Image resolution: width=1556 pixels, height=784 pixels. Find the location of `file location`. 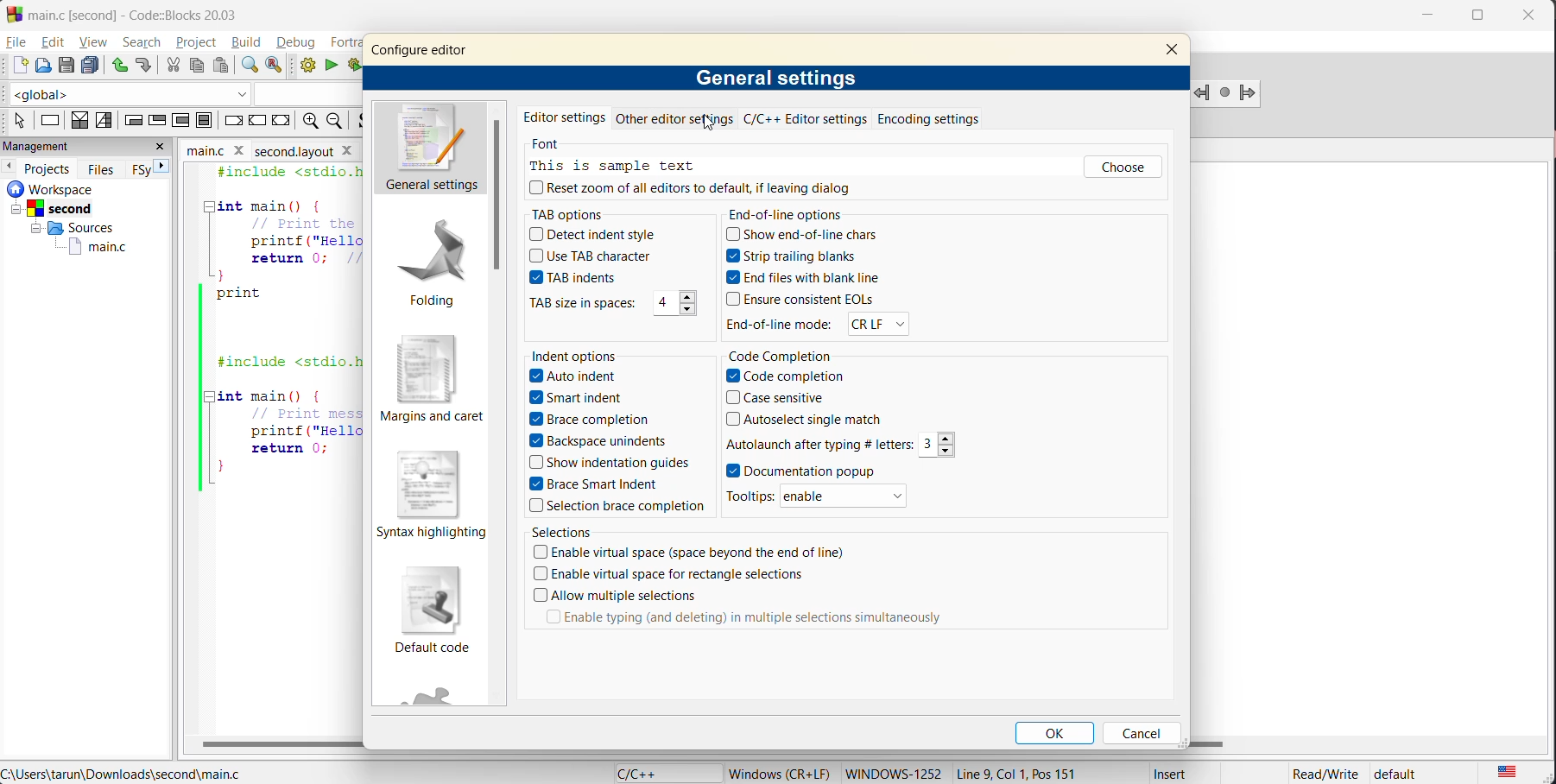

file location is located at coordinates (123, 774).